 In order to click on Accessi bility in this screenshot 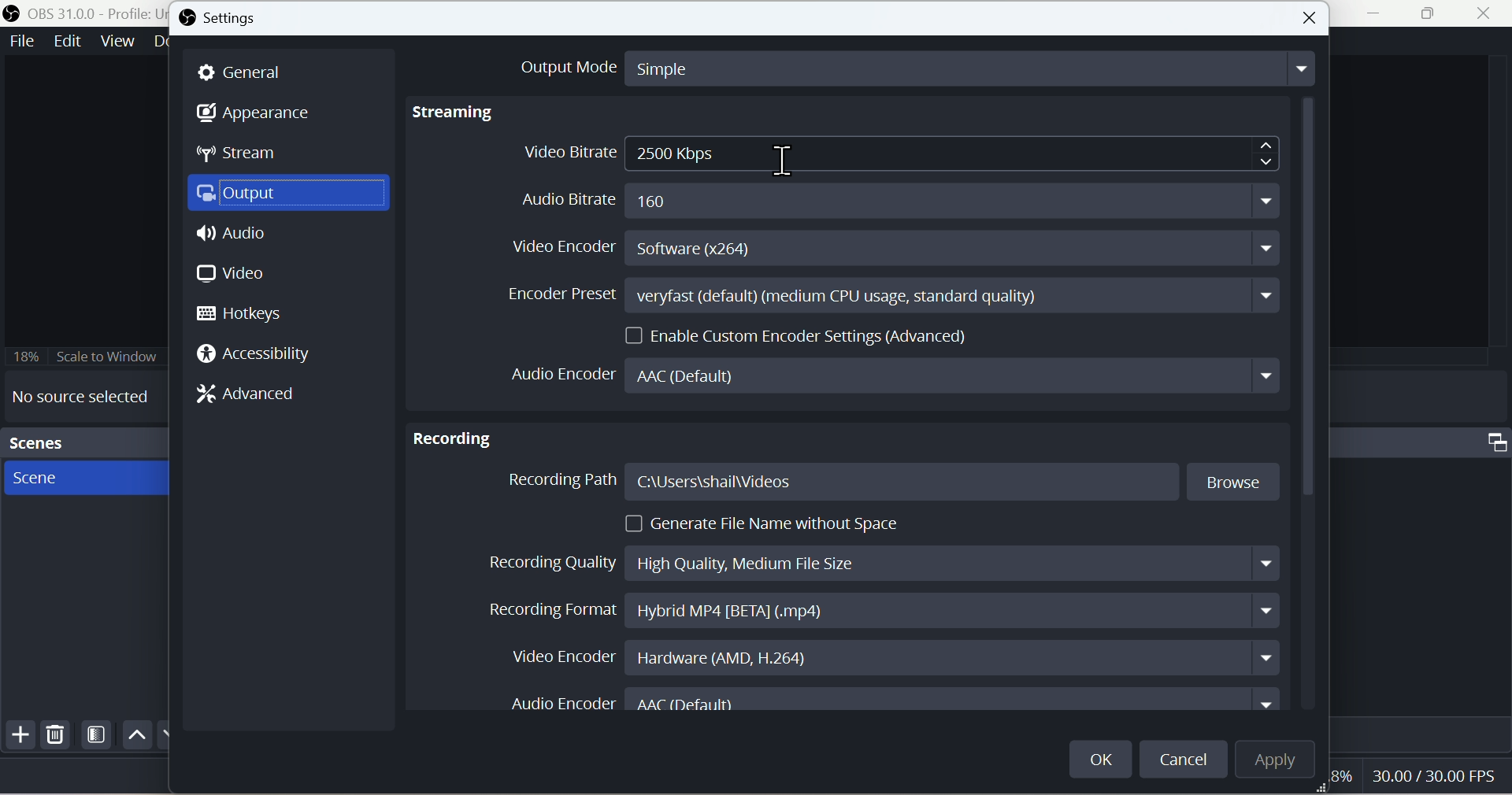, I will do `click(263, 357)`.